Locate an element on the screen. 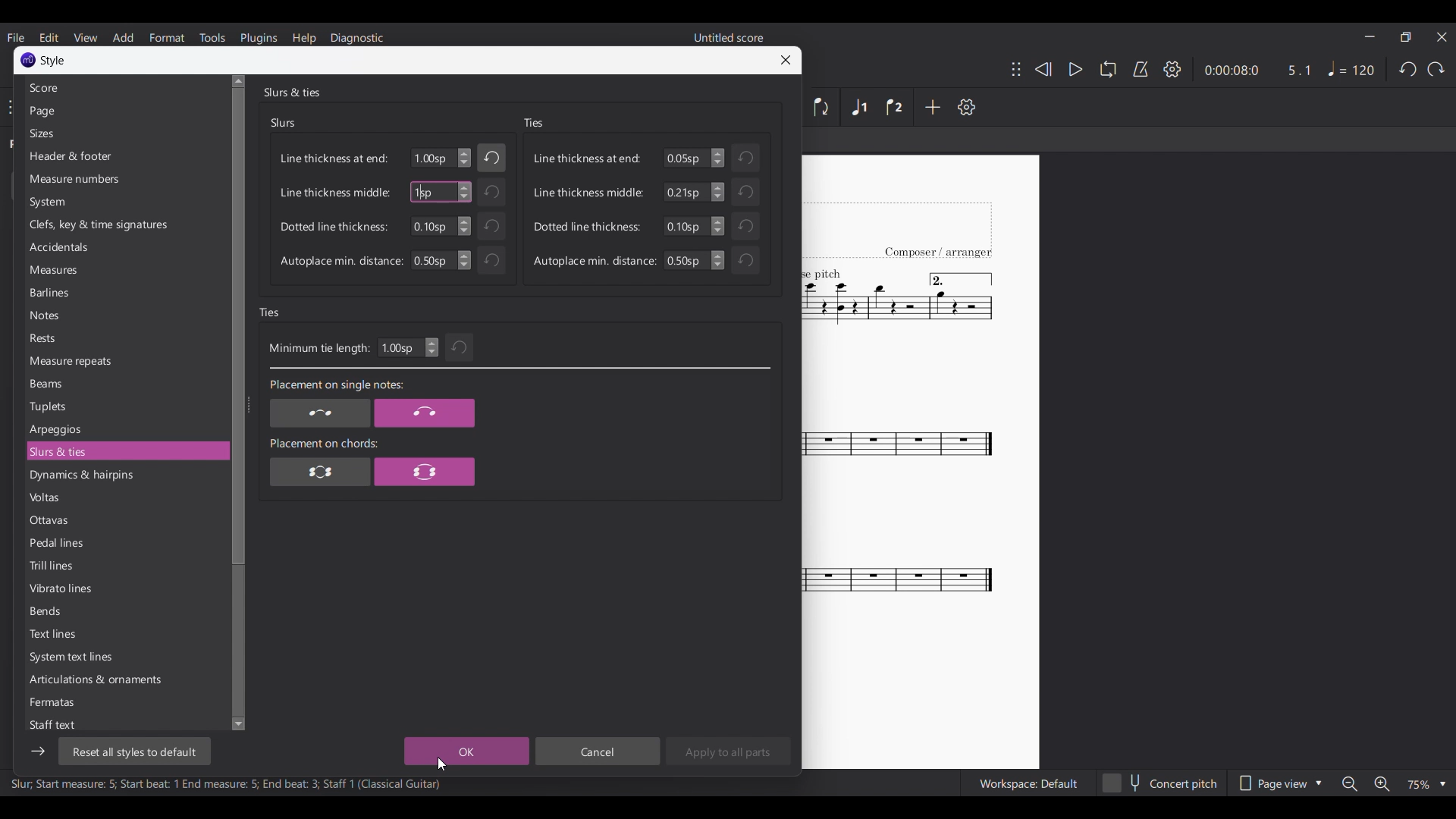 This screenshot has height=819, width=1456. Slurs & ties, current selection highlighted is located at coordinates (125, 451).